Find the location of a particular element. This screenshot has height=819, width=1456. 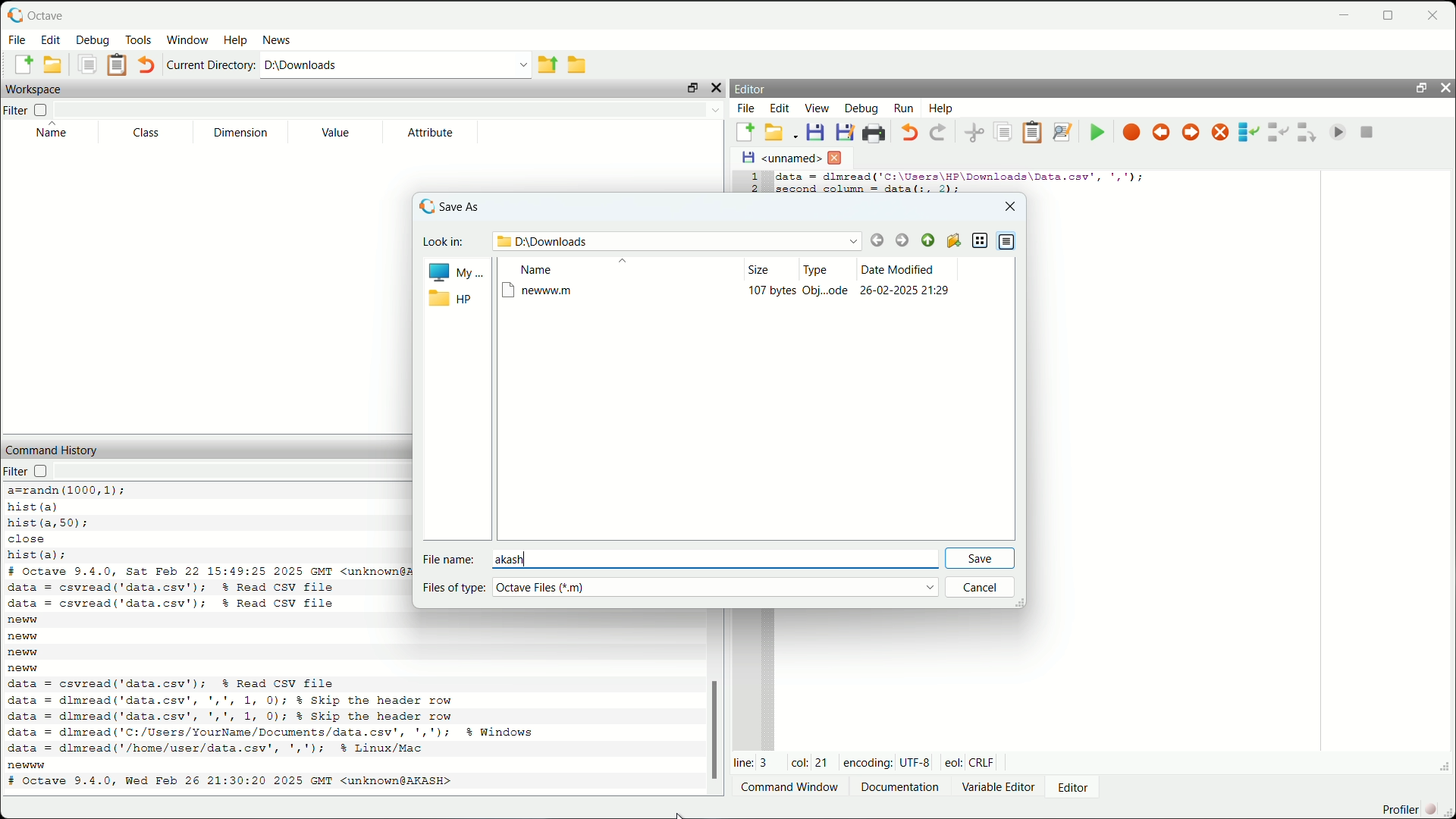

close is located at coordinates (836, 160).